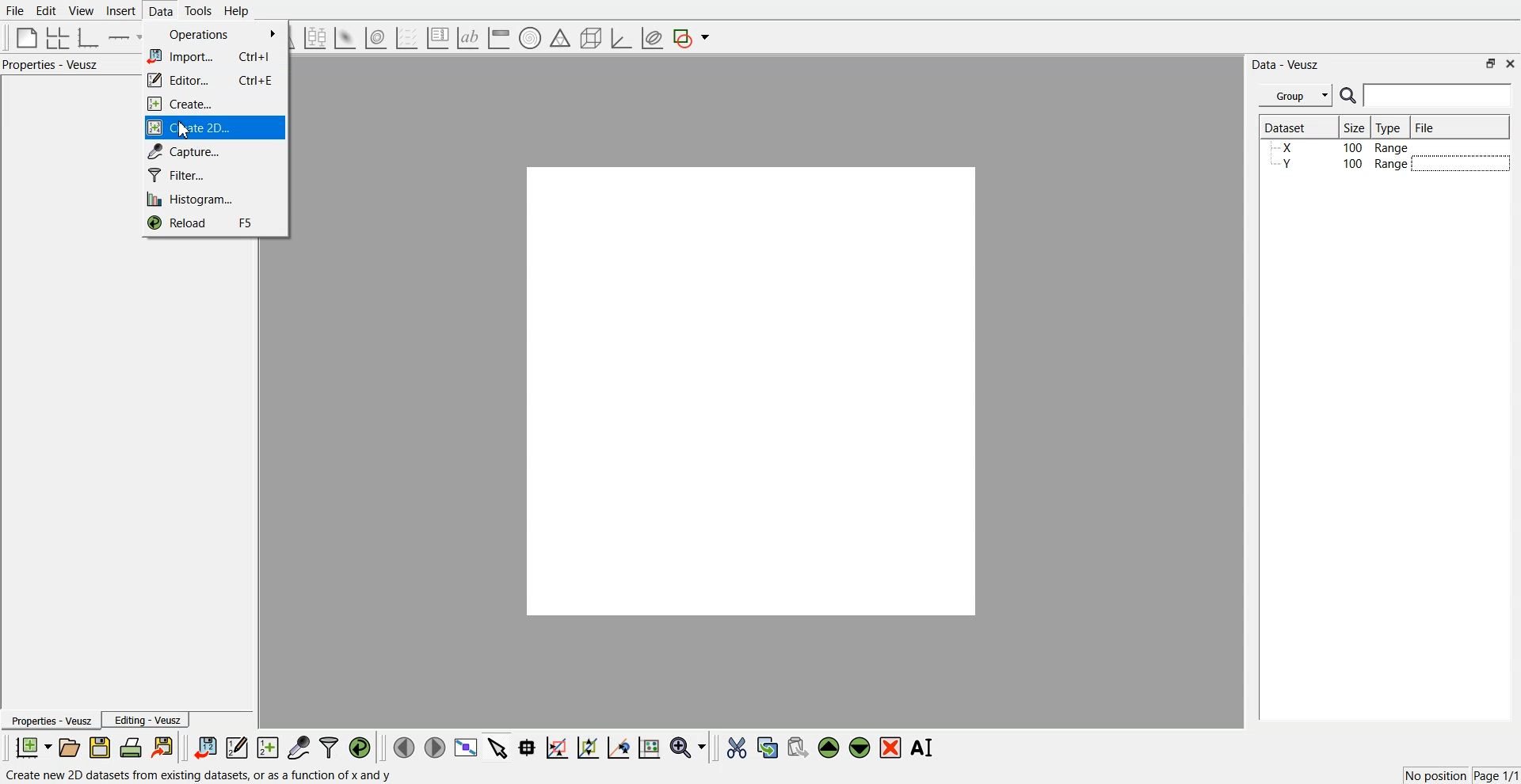 This screenshot has height=784, width=1521. Describe the element at coordinates (329, 747) in the screenshot. I see `Filter dataset` at that location.